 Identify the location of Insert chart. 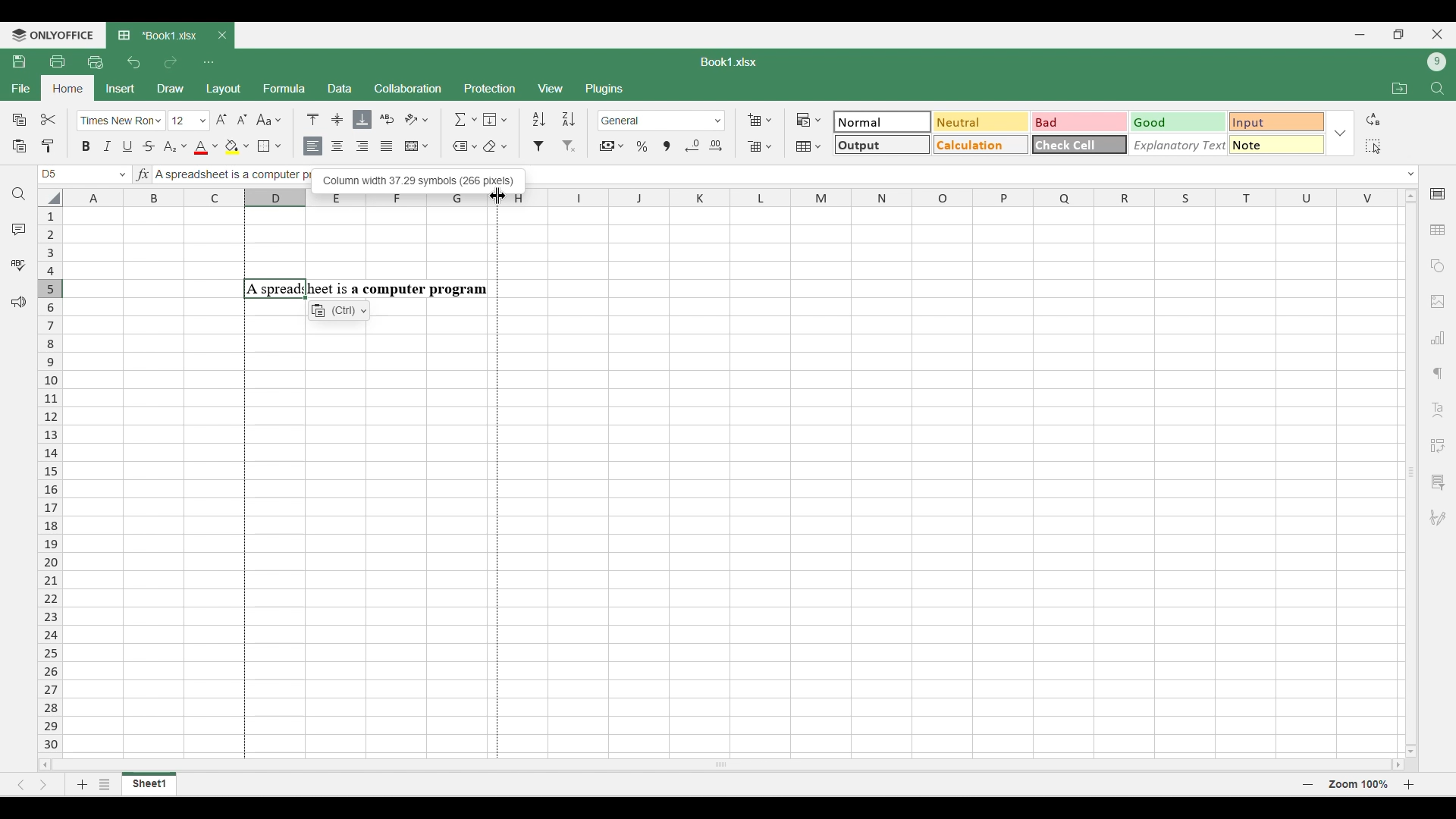
(1439, 337).